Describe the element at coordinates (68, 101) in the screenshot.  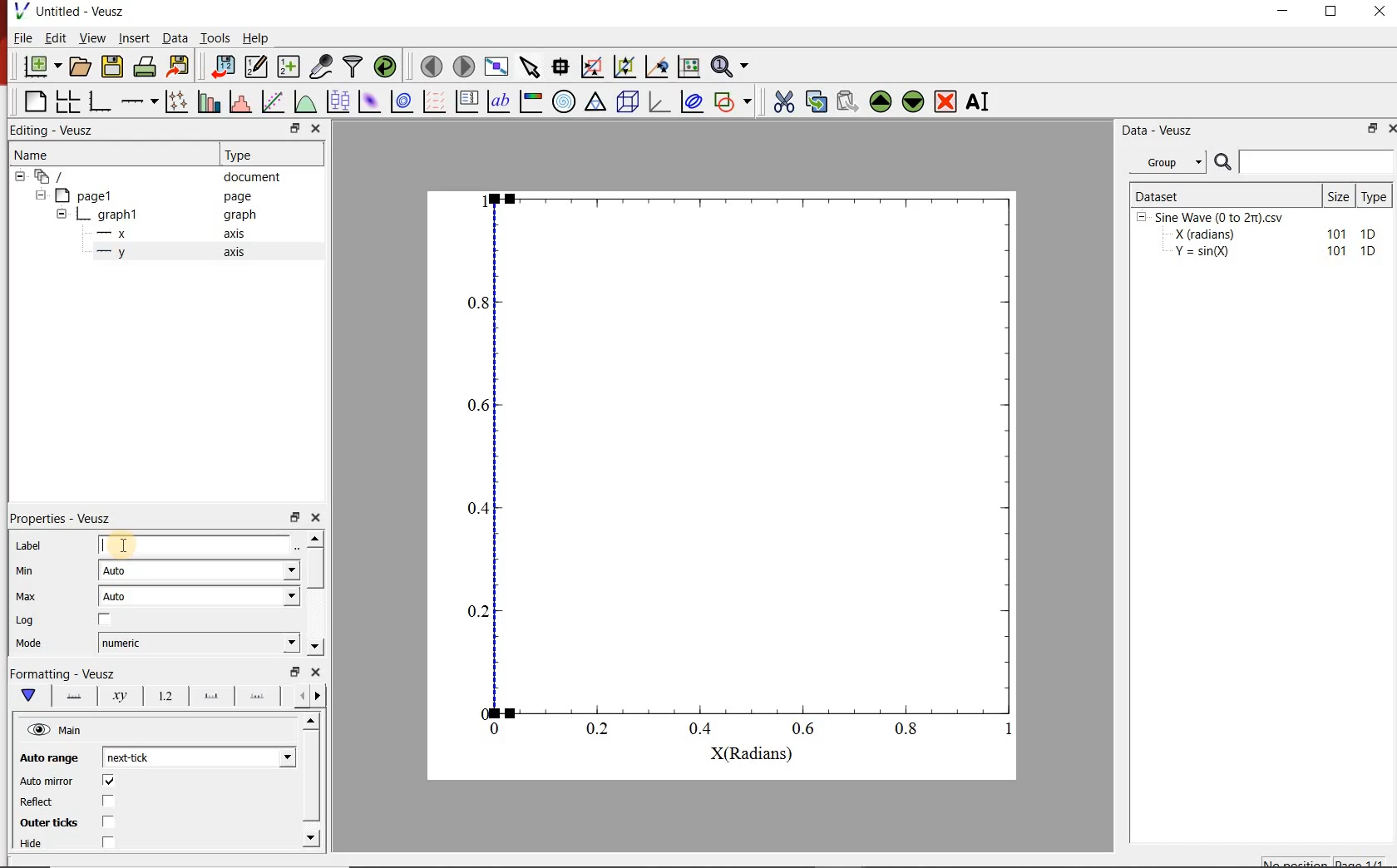
I see `arrange graph` at that location.